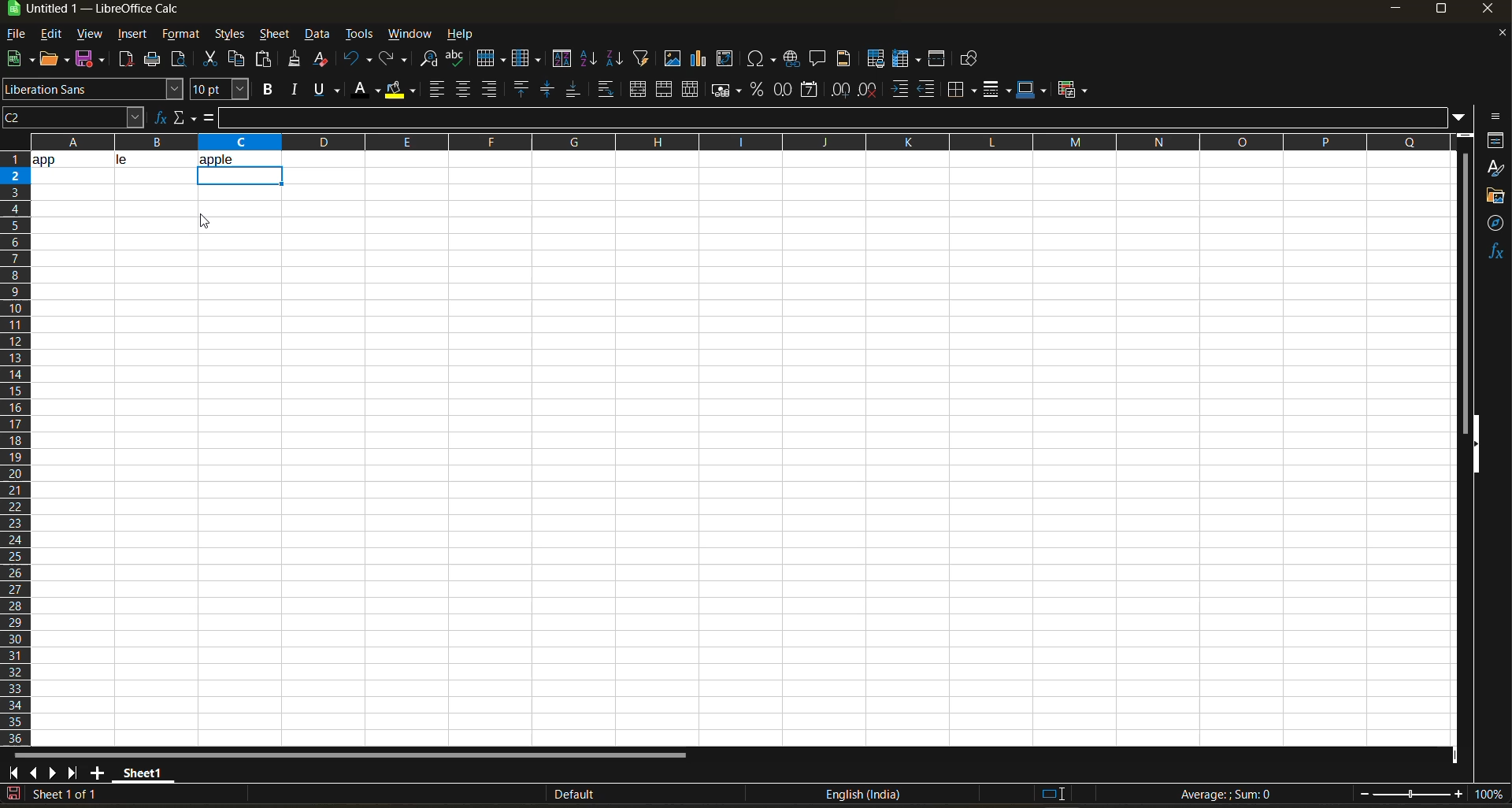  What do you see at coordinates (439, 90) in the screenshot?
I see `align left` at bounding box center [439, 90].